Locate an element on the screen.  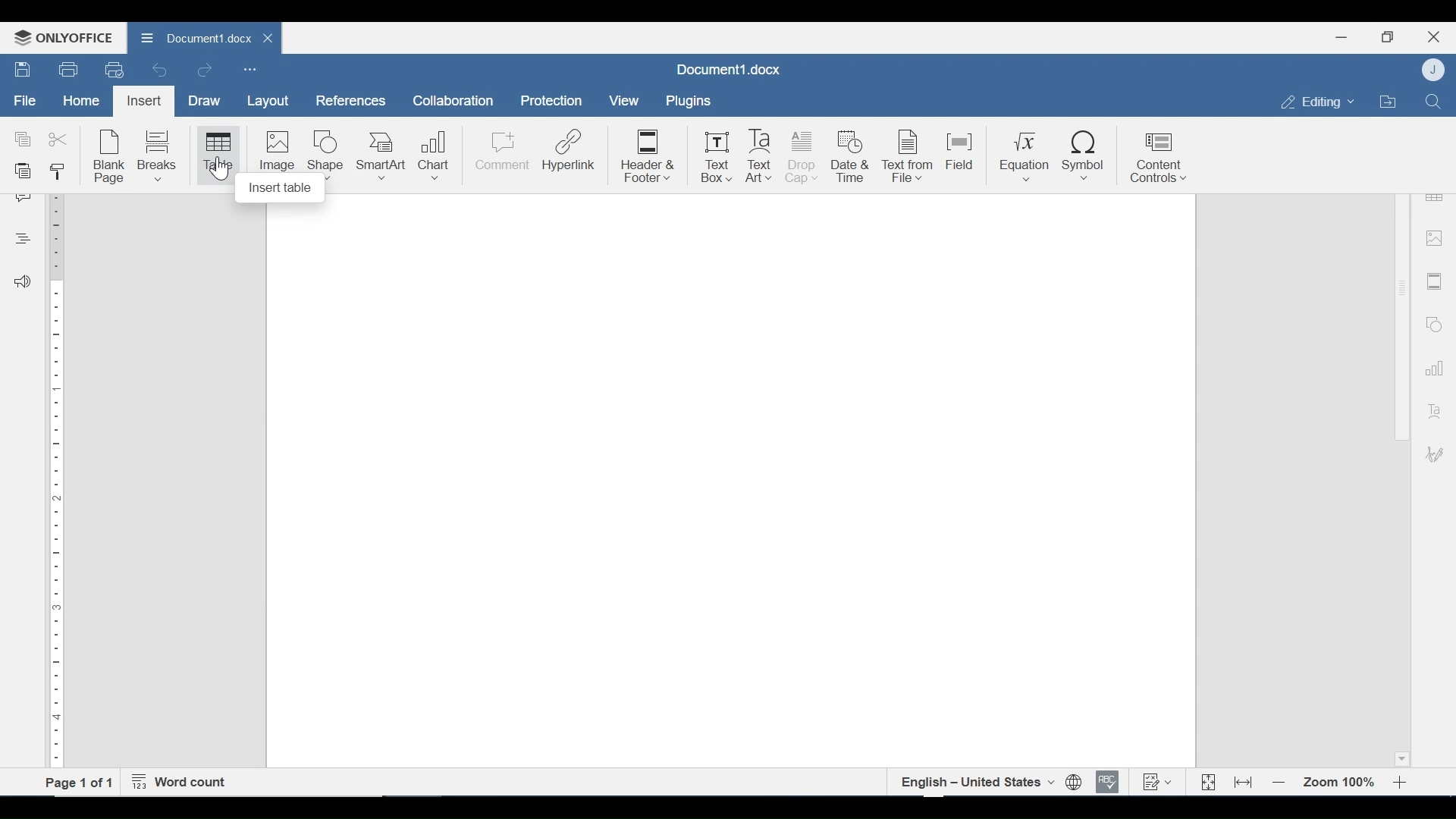
View is located at coordinates (625, 101).